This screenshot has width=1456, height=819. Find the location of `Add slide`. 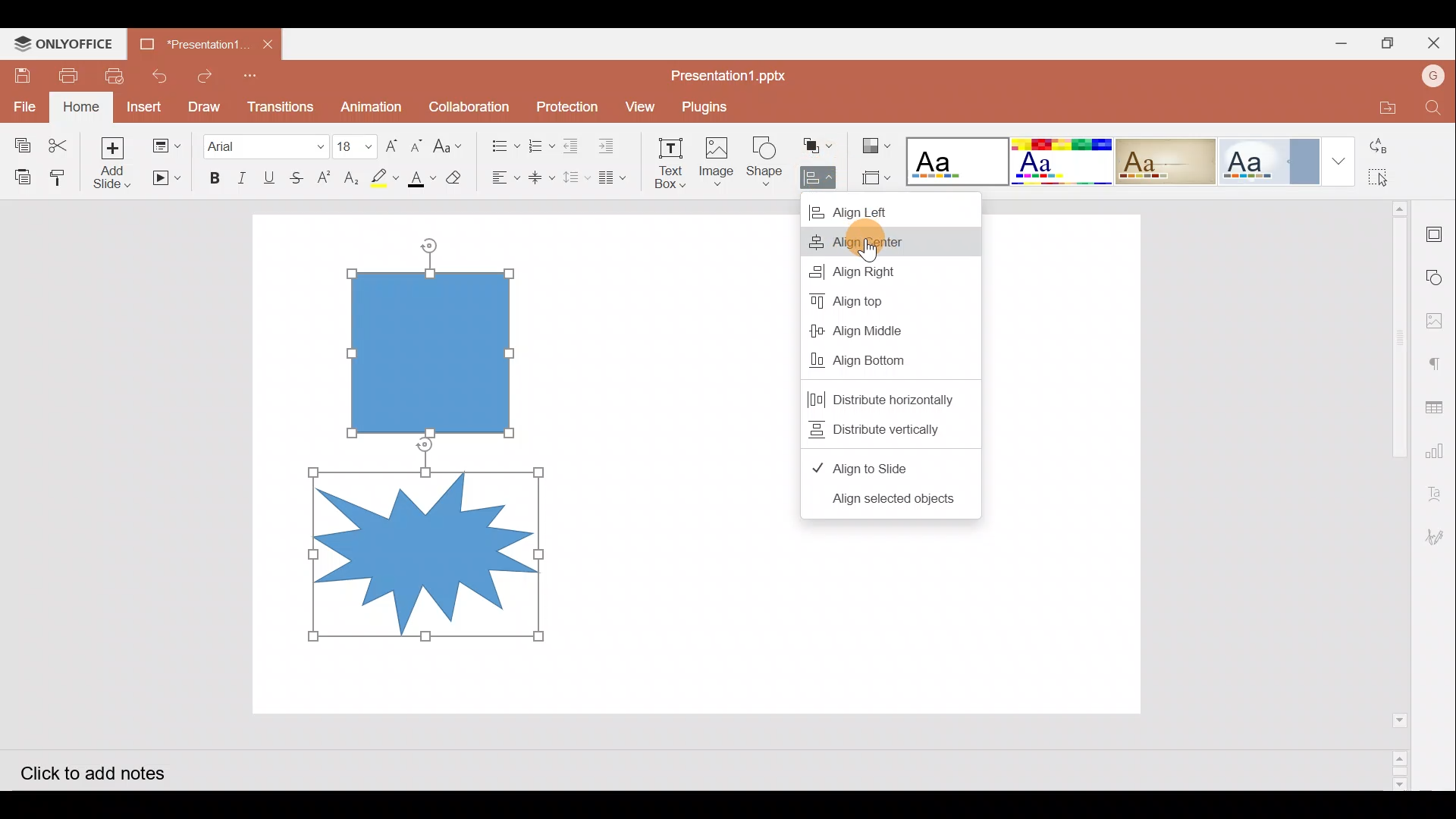

Add slide is located at coordinates (111, 162).